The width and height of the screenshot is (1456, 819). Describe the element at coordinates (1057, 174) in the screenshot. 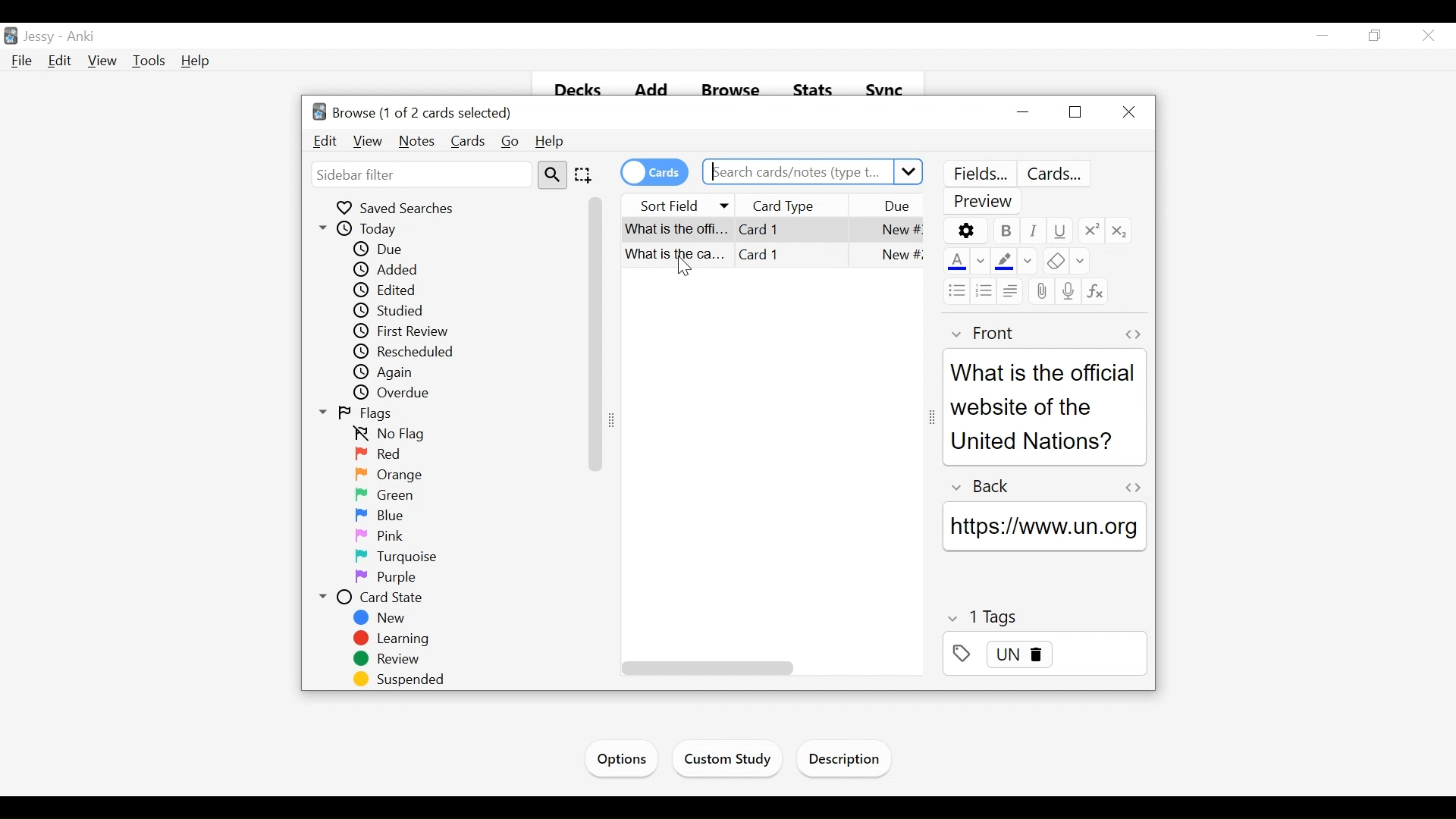

I see `customize card Template` at that location.